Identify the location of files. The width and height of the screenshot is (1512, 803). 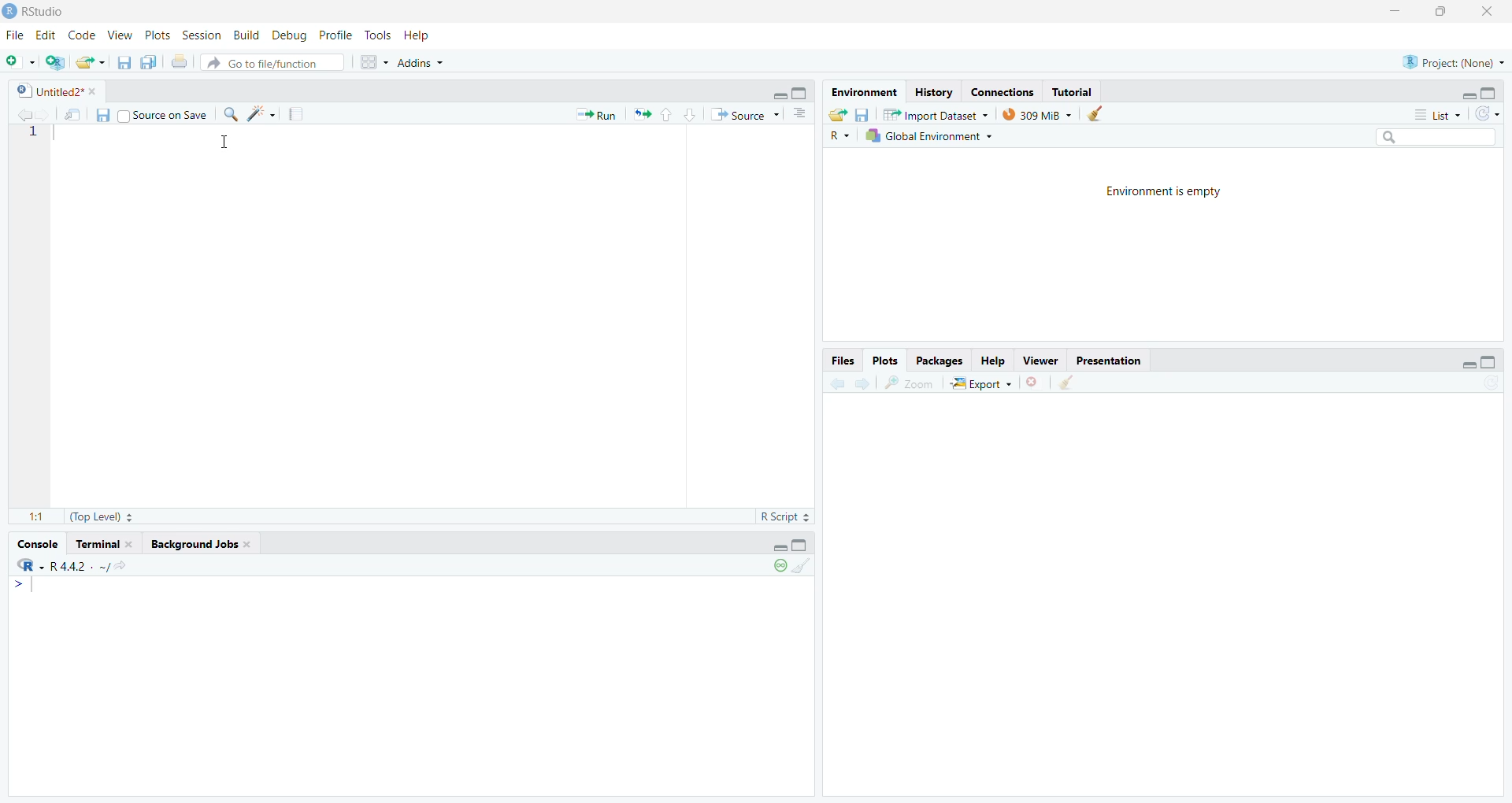
(120, 64).